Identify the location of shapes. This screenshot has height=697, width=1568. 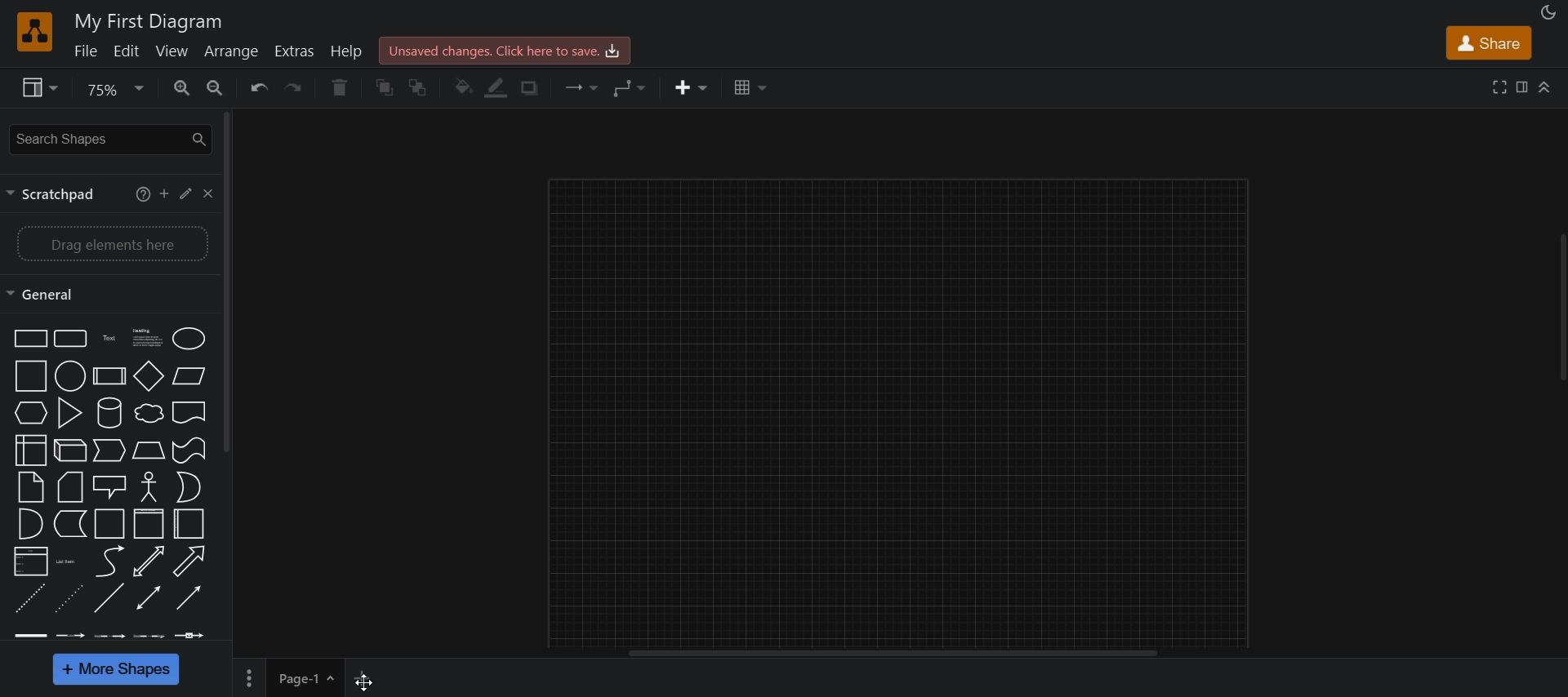
(109, 482).